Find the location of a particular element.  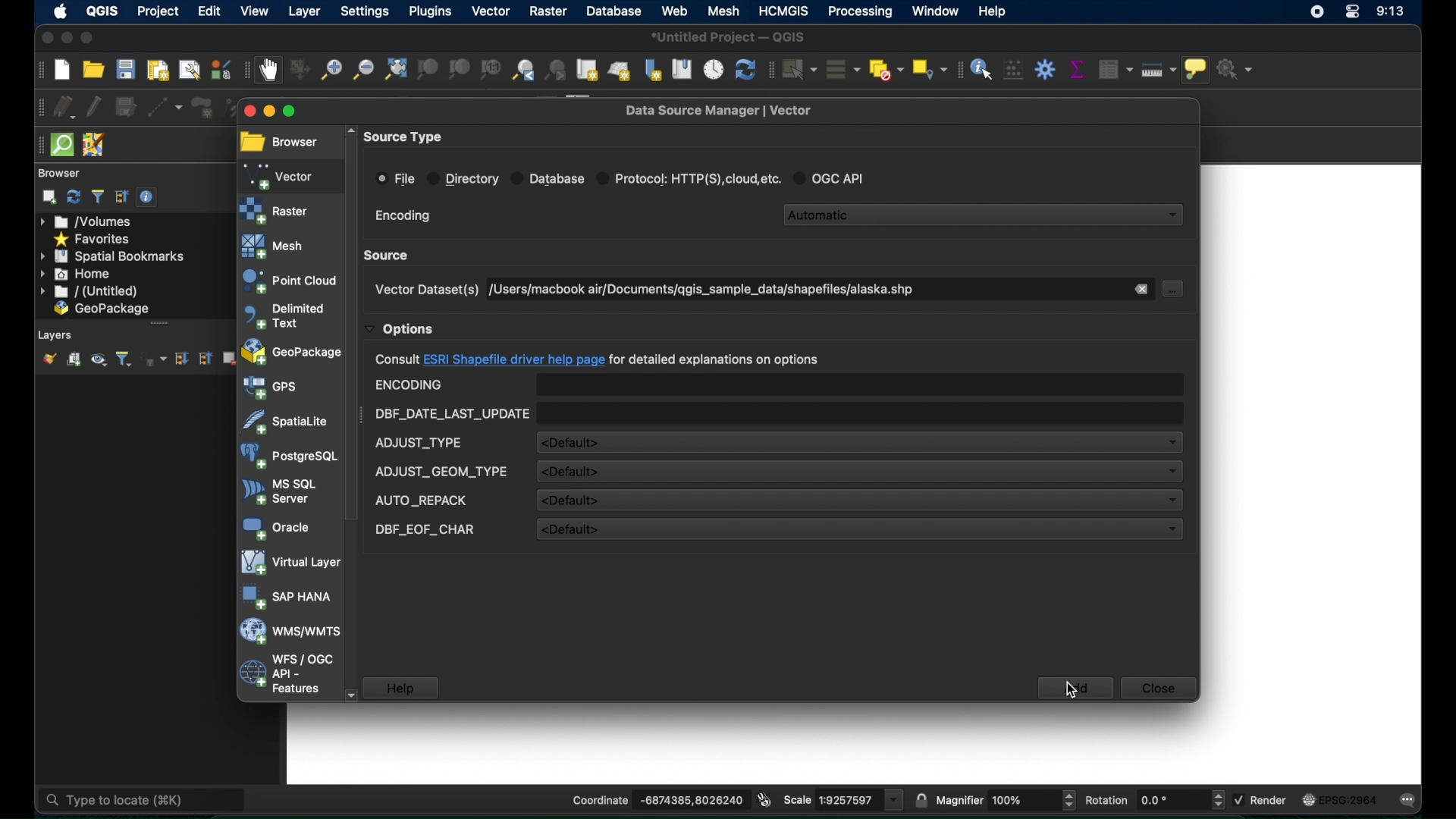

manage map themes is located at coordinates (99, 361).